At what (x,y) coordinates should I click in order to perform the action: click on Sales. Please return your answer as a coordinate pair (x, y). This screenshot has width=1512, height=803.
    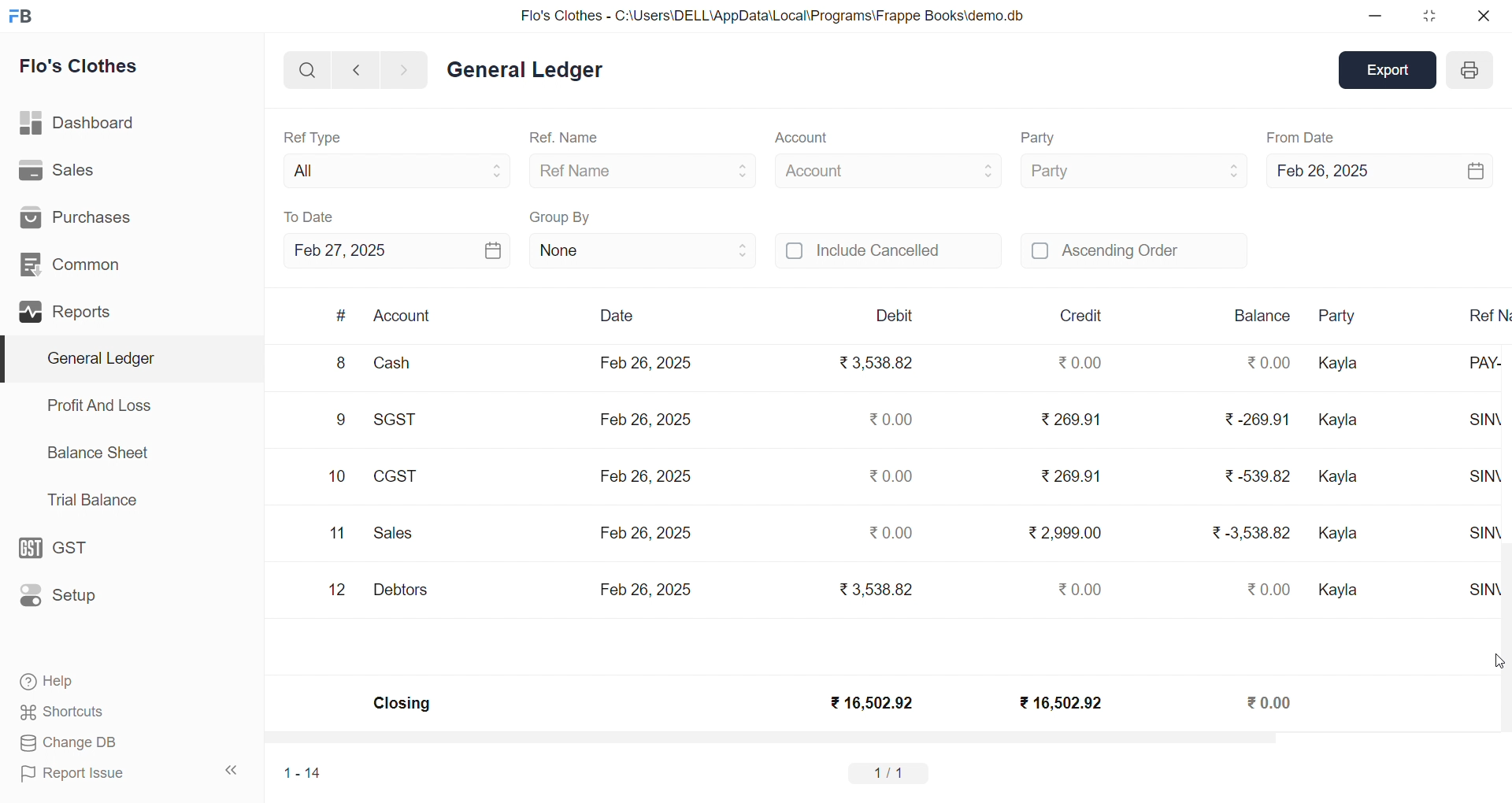
    Looking at the image, I should click on (397, 535).